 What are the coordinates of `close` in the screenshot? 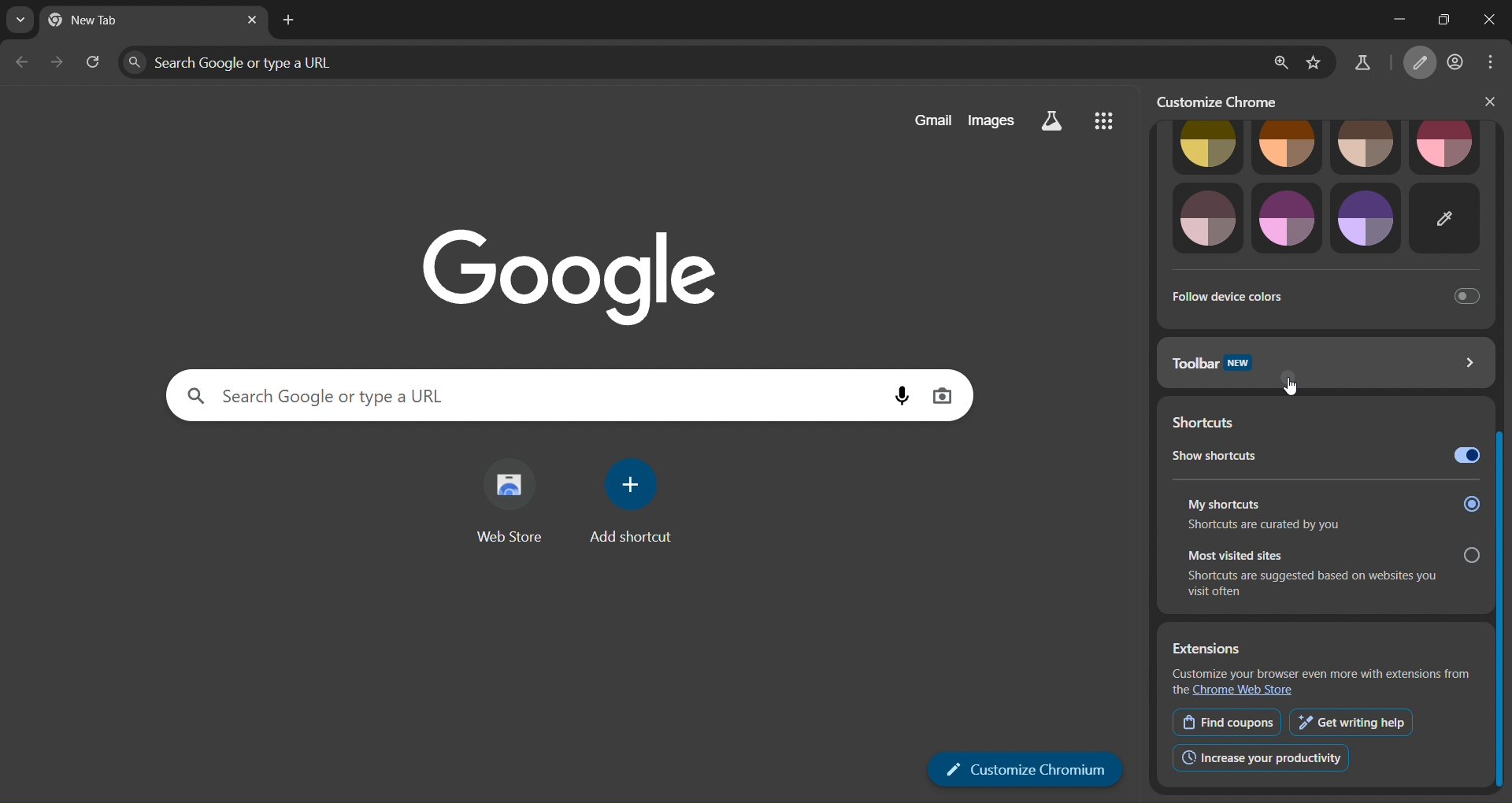 It's located at (1490, 102).